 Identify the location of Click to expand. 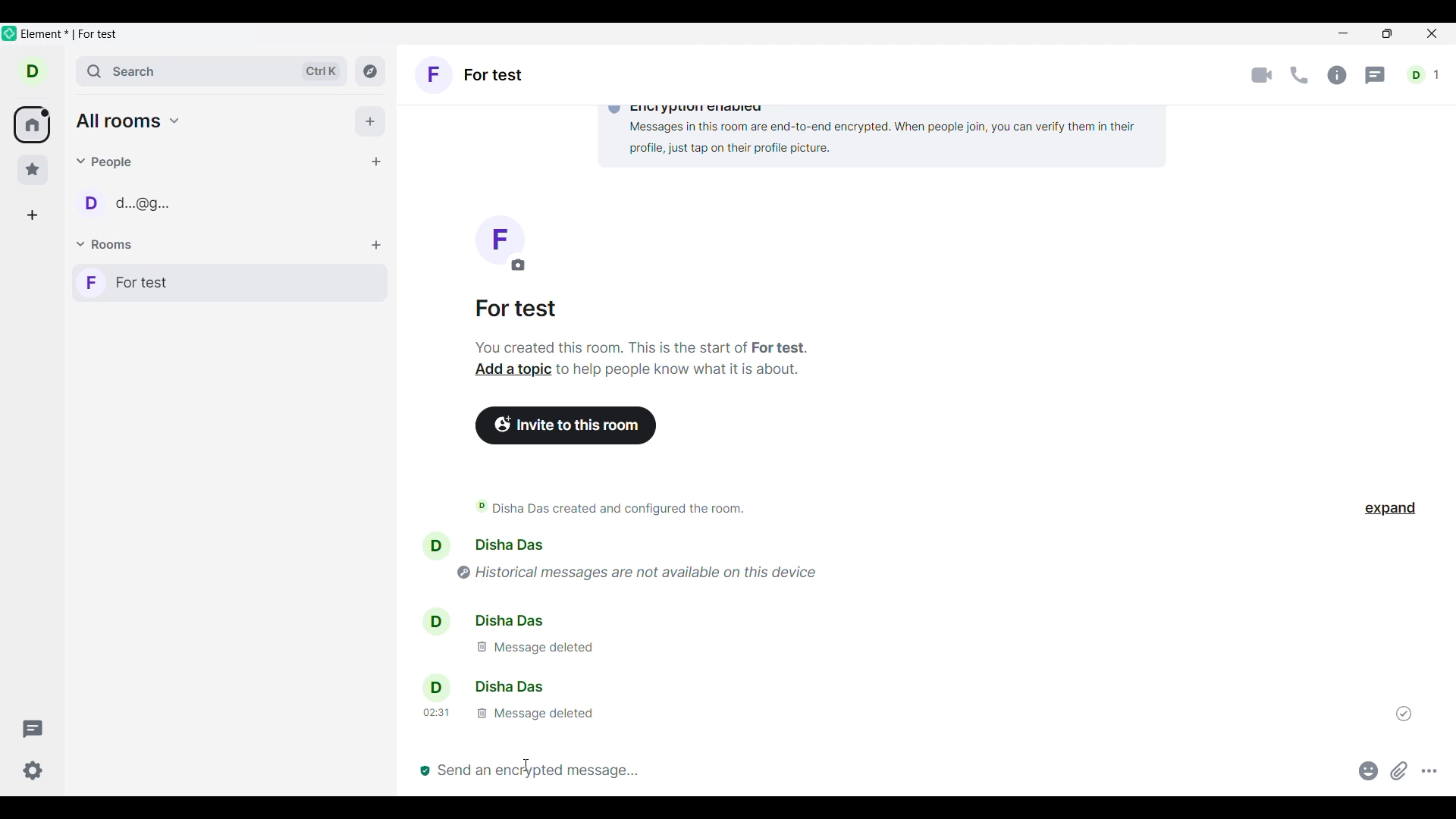
(1390, 509).